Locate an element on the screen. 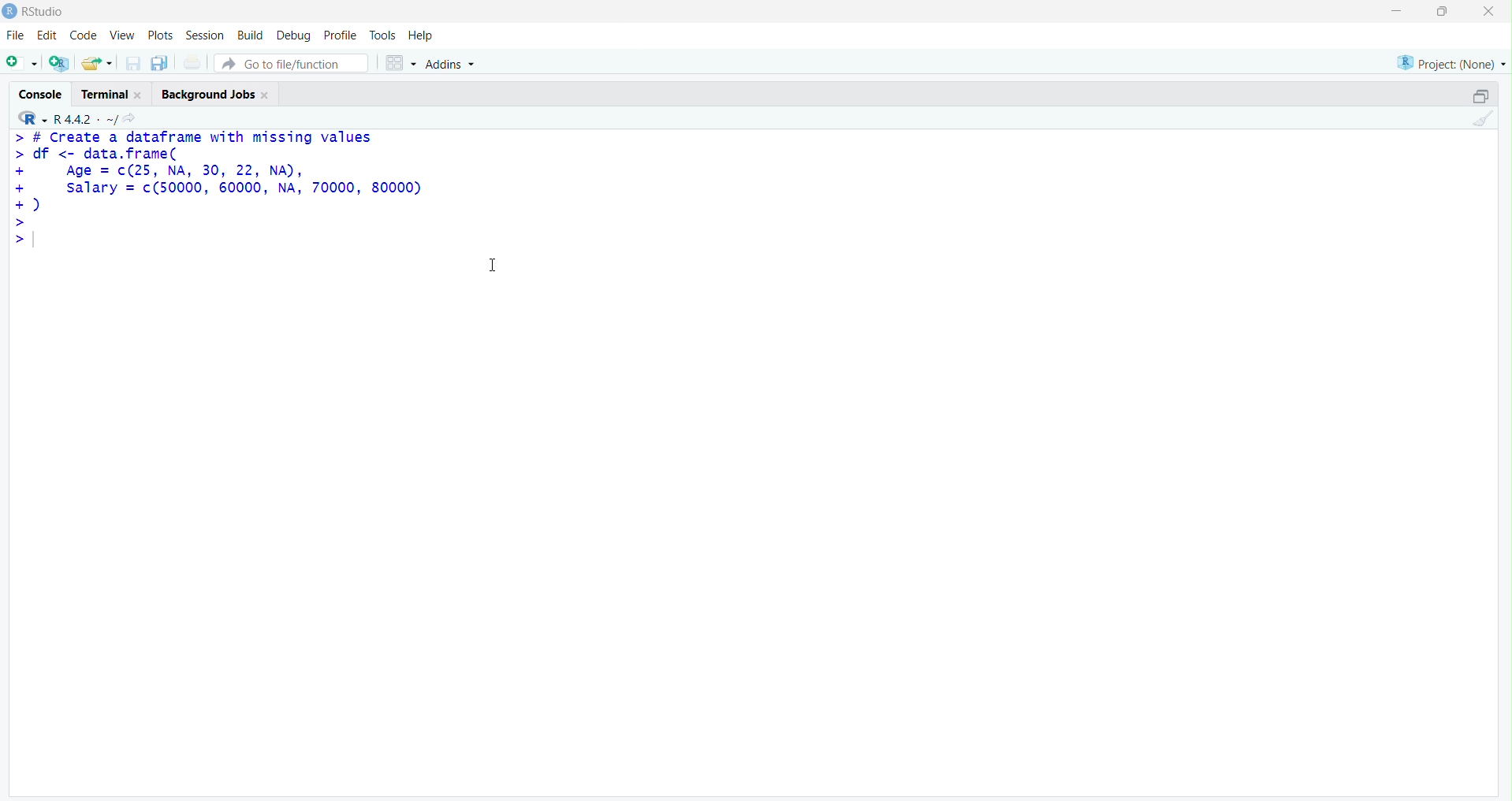 This screenshot has height=801, width=1512. RStudio is located at coordinates (42, 12).